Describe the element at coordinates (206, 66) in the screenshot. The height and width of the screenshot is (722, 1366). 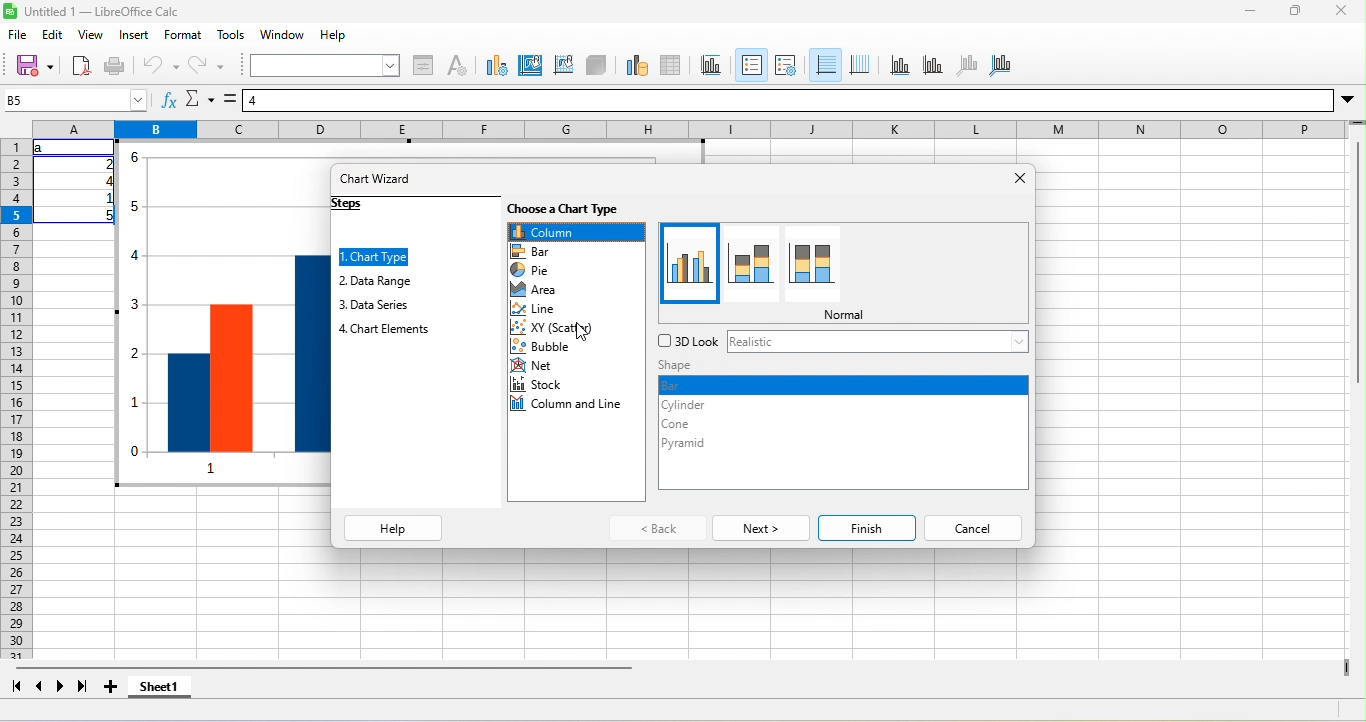
I see `redo` at that location.